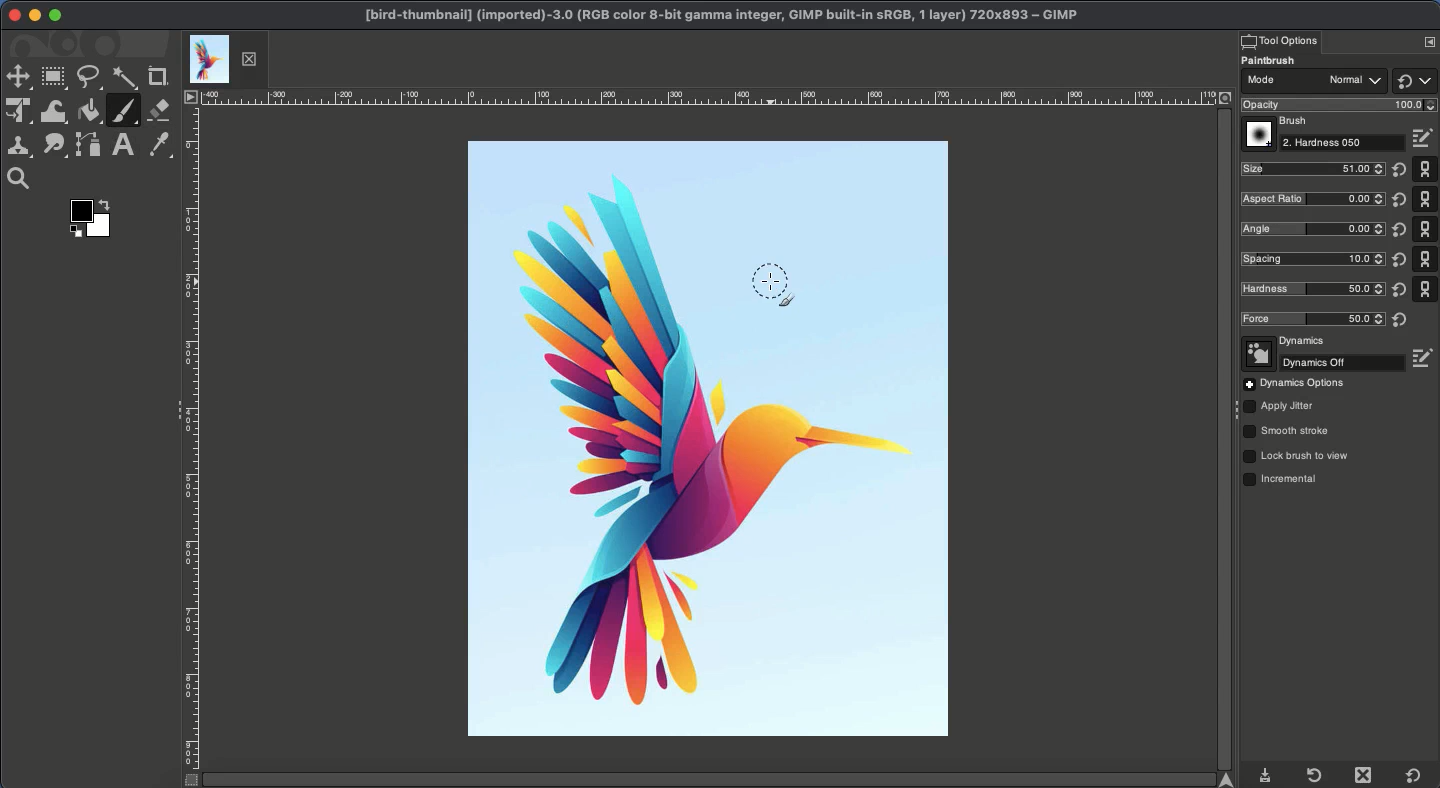  I want to click on Refresh, so click(1313, 775).